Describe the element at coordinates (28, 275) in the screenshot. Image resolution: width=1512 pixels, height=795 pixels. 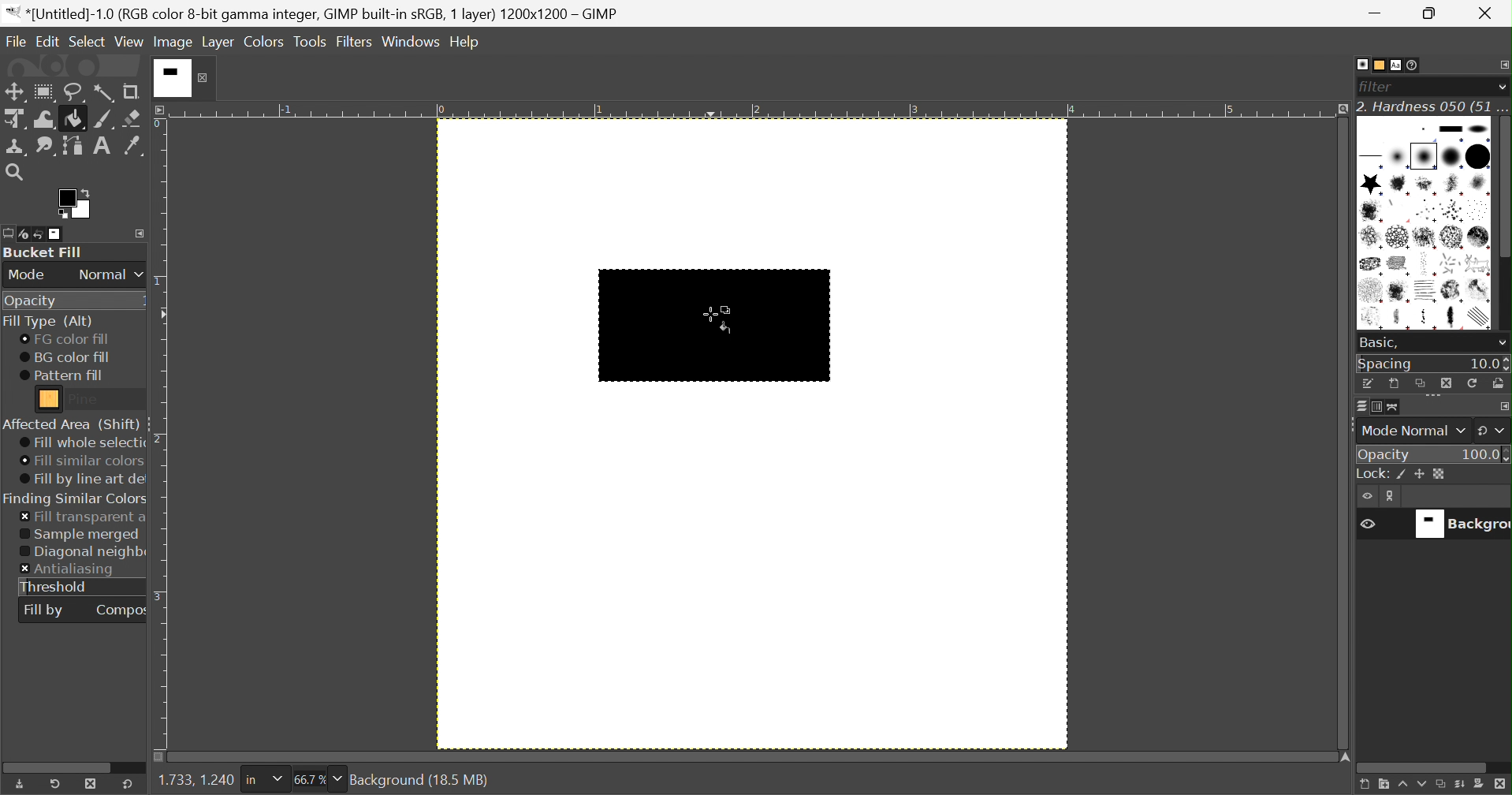
I see `Mode` at that location.